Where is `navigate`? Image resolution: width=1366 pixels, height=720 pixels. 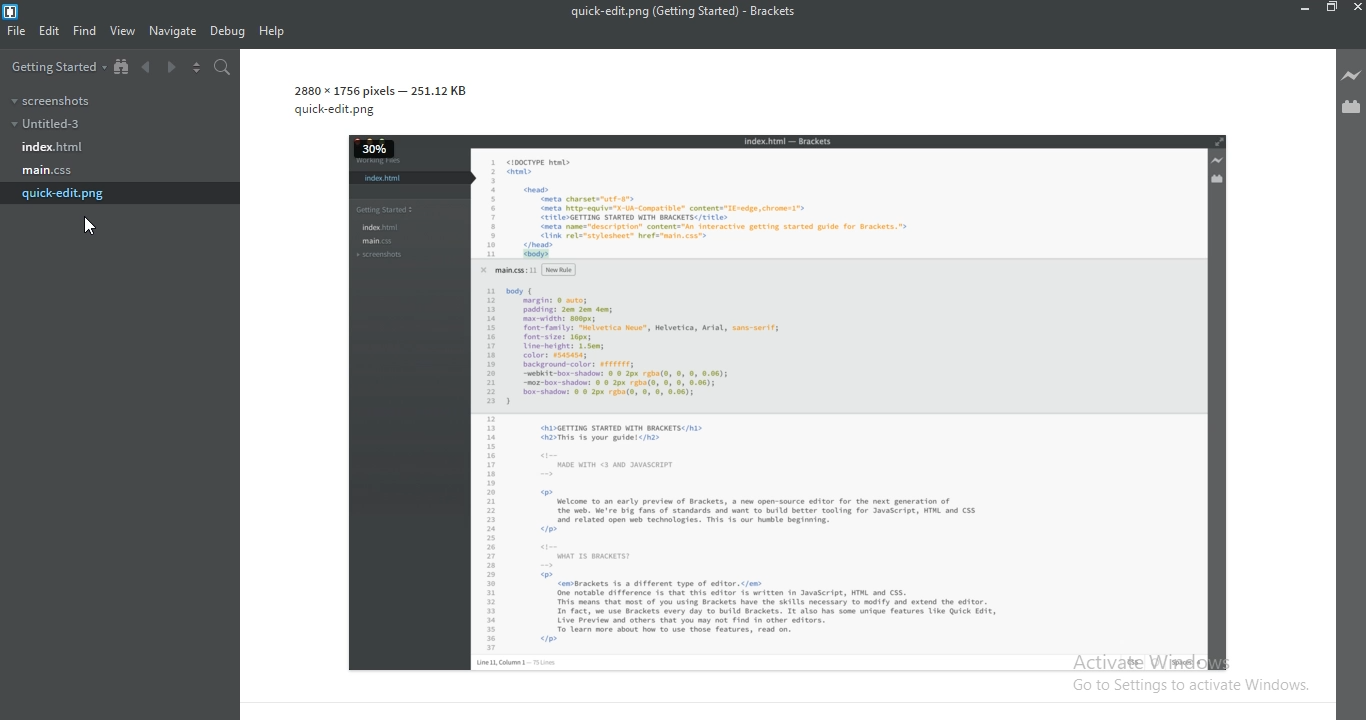 navigate is located at coordinates (172, 31).